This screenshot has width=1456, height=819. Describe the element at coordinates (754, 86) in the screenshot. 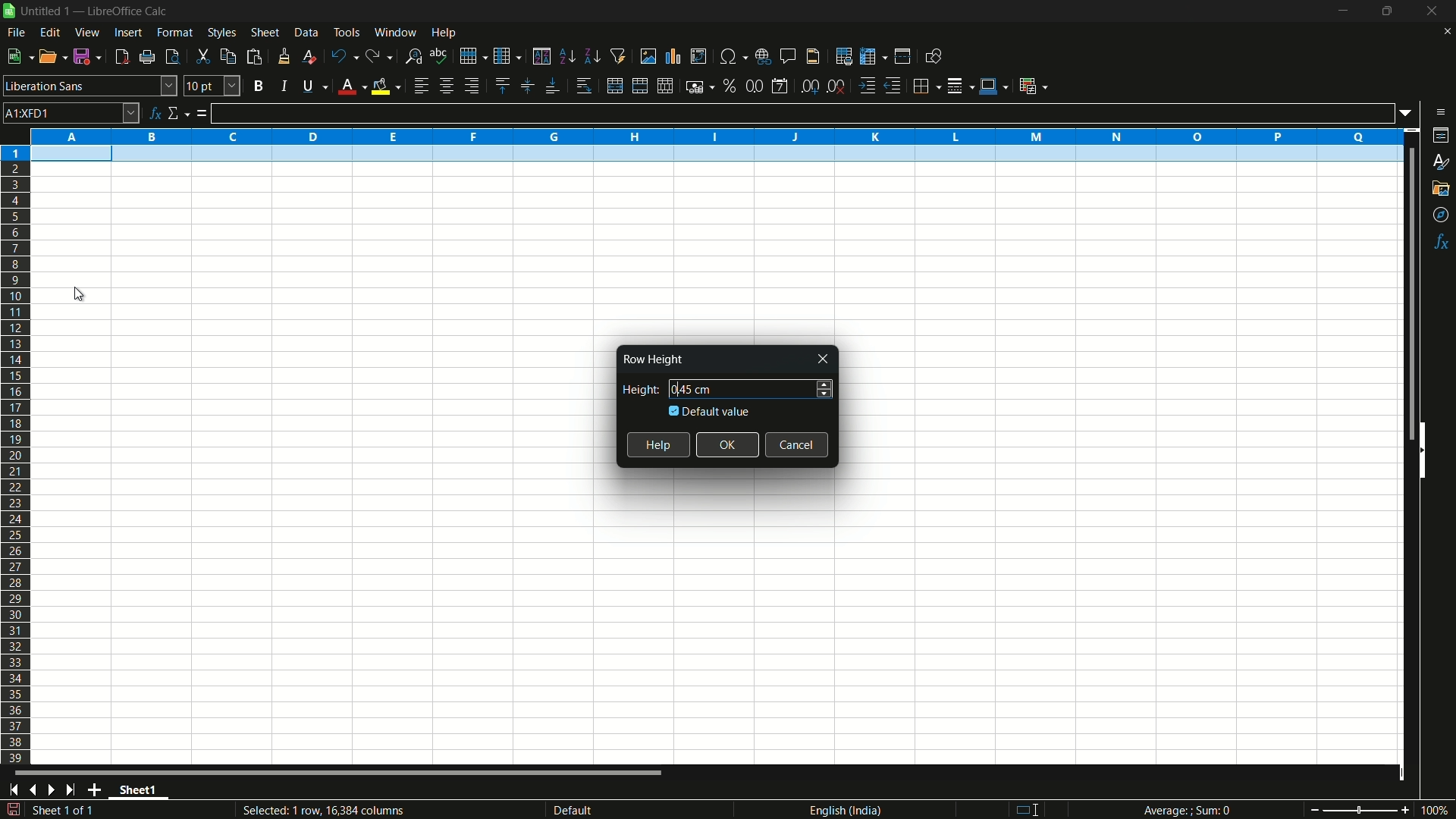

I see `format as number` at that location.